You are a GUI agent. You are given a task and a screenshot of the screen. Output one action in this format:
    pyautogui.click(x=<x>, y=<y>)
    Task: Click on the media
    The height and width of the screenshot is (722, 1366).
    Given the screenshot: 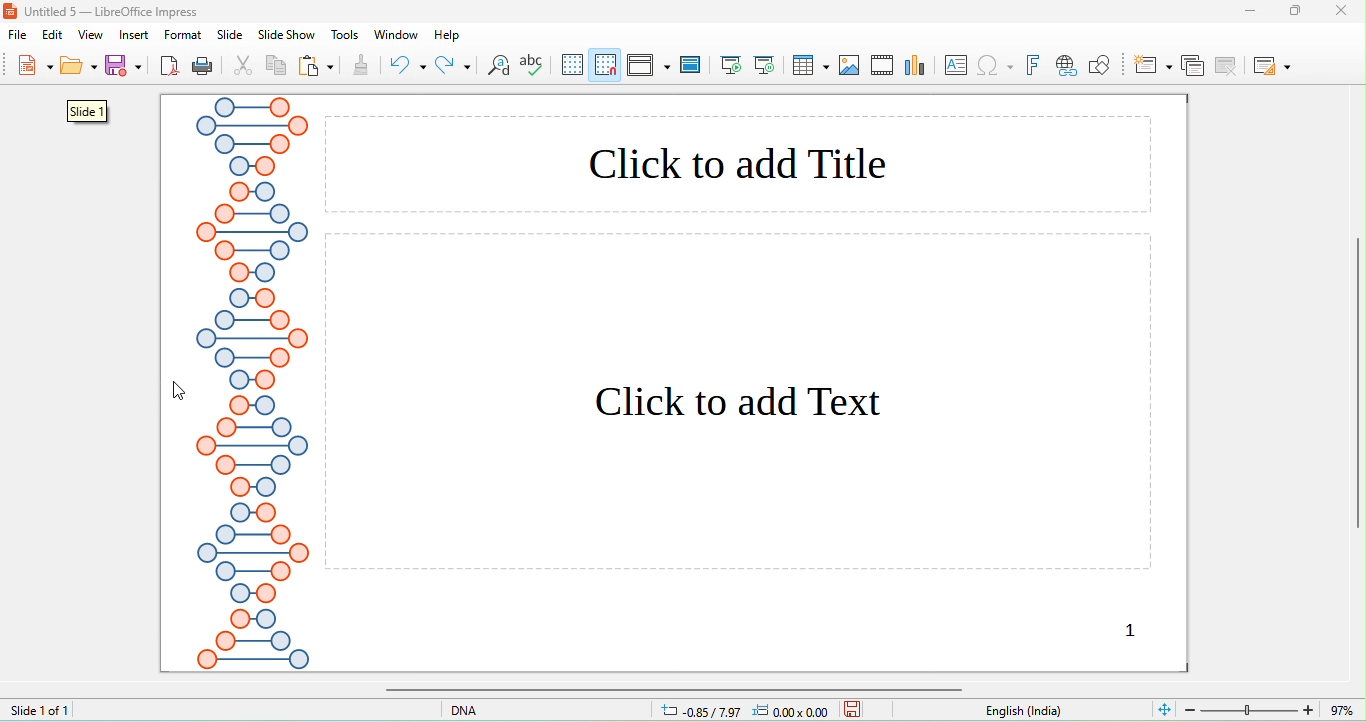 What is the action you would take?
    pyautogui.click(x=883, y=63)
    